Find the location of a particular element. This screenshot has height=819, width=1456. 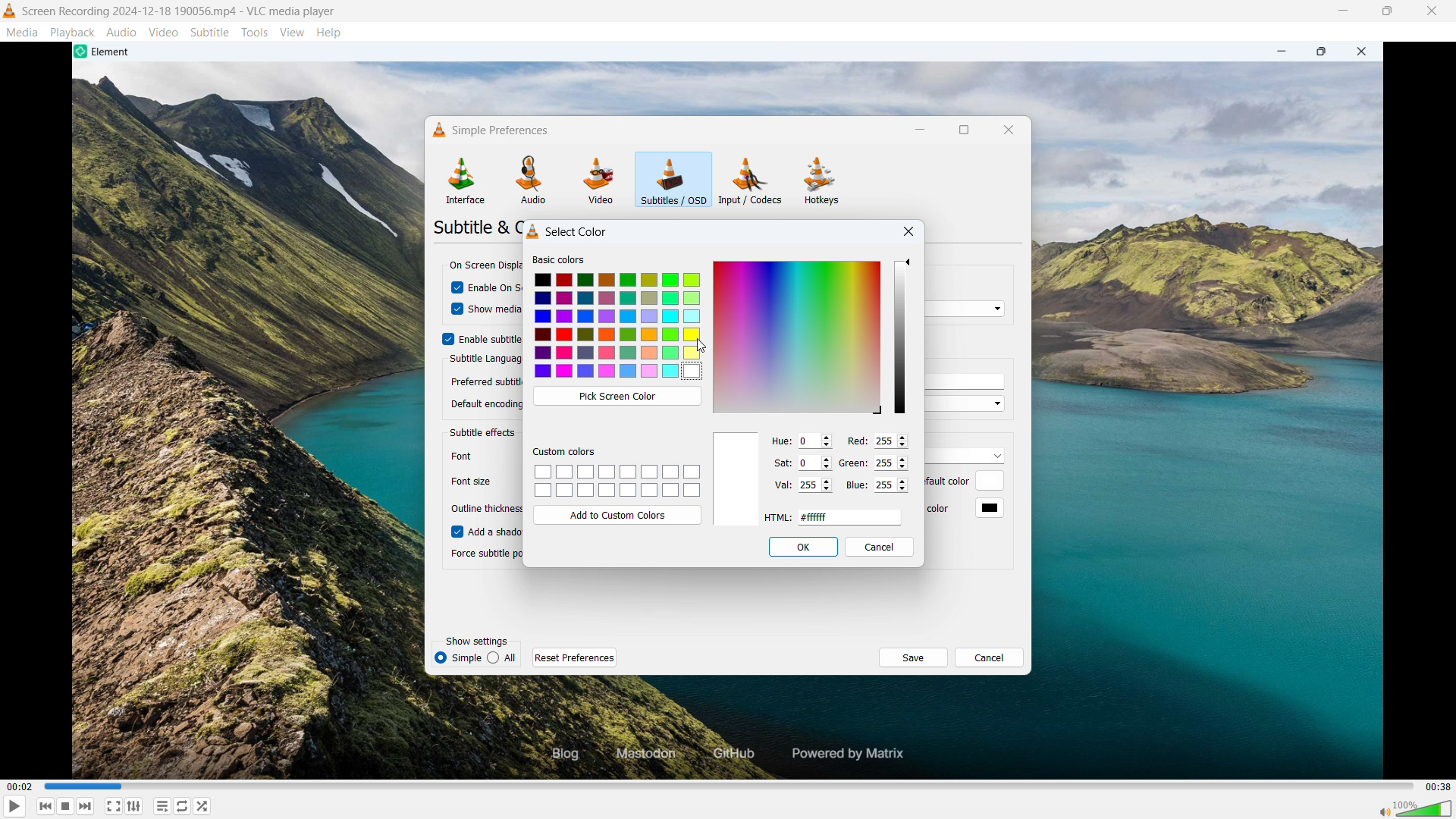

Set saturation  is located at coordinates (815, 463).